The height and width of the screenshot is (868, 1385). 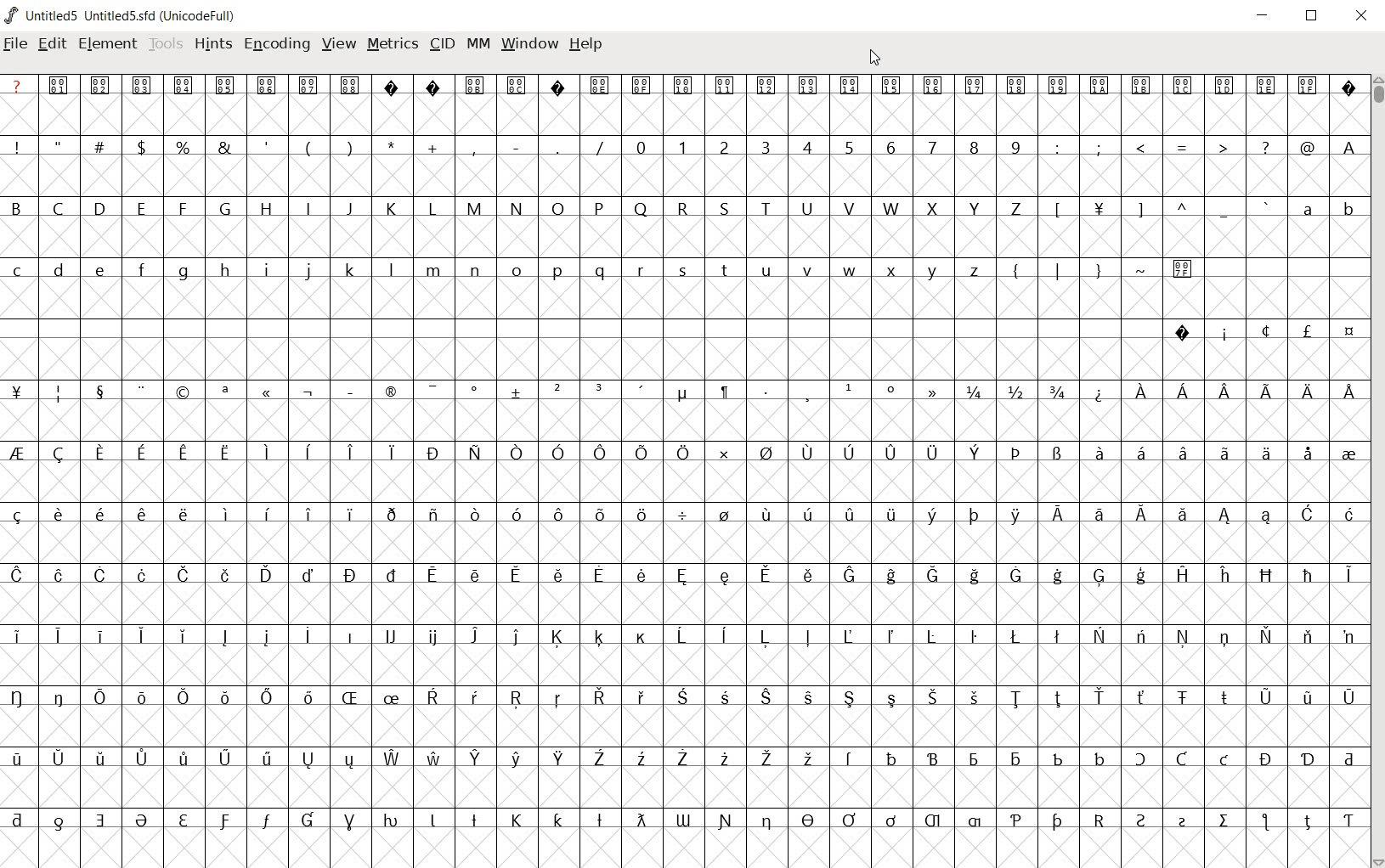 What do you see at coordinates (1264, 331) in the screenshot?
I see `Symbol` at bounding box center [1264, 331].